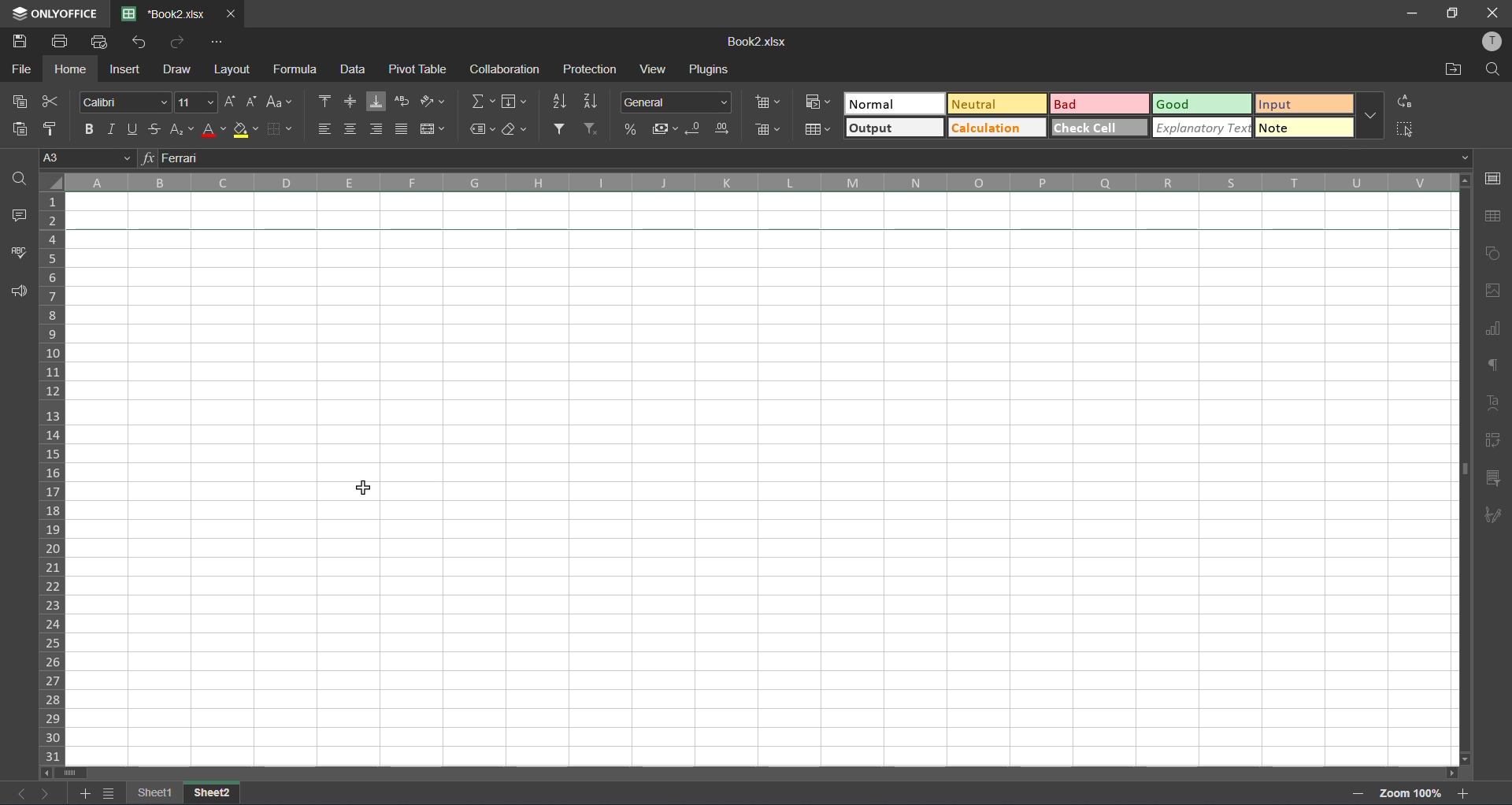 This screenshot has height=805, width=1512. Describe the element at coordinates (664, 127) in the screenshot. I see `accounting` at that location.